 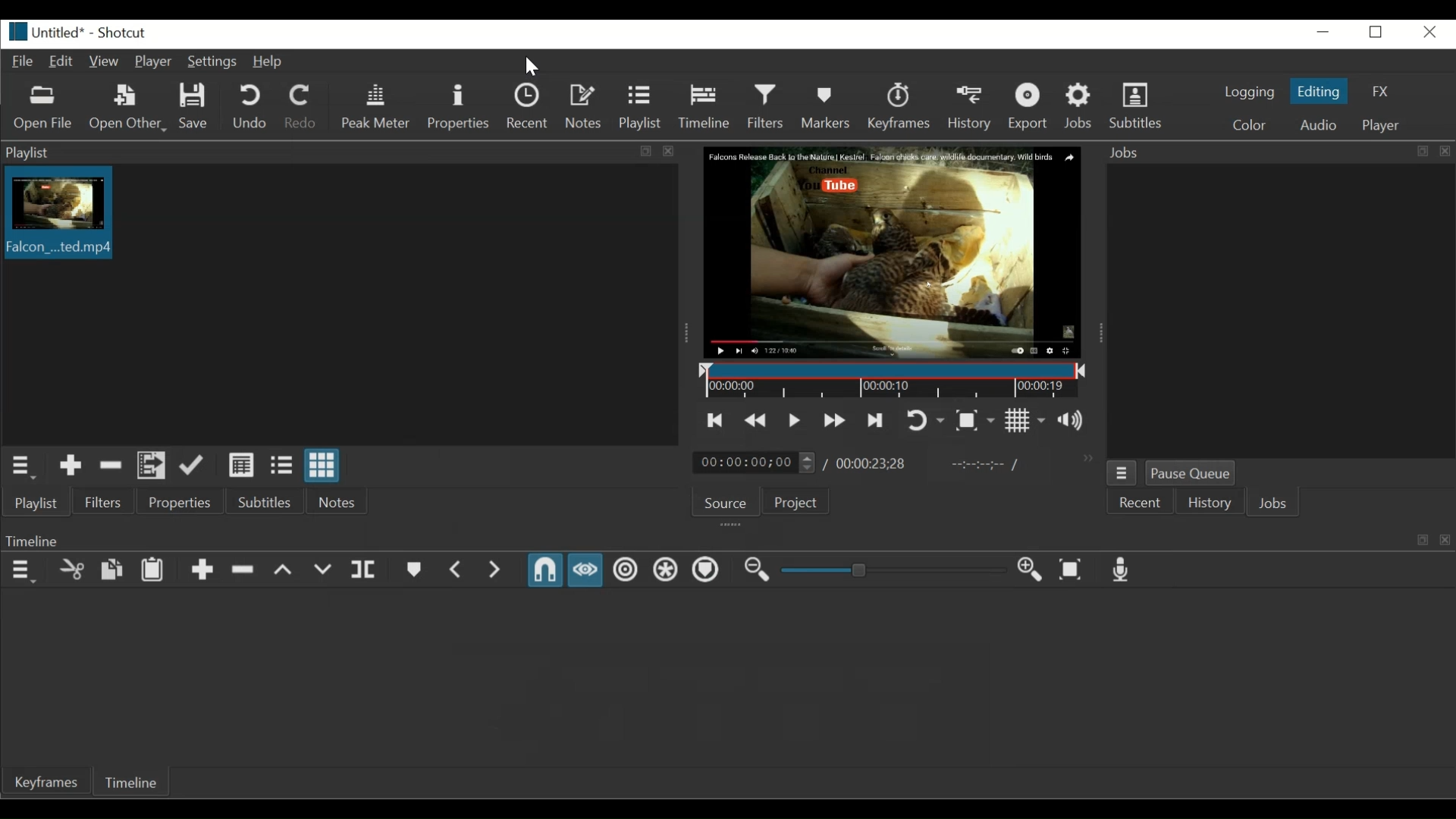 I want to click on Properties, so click(x=457, y=107).